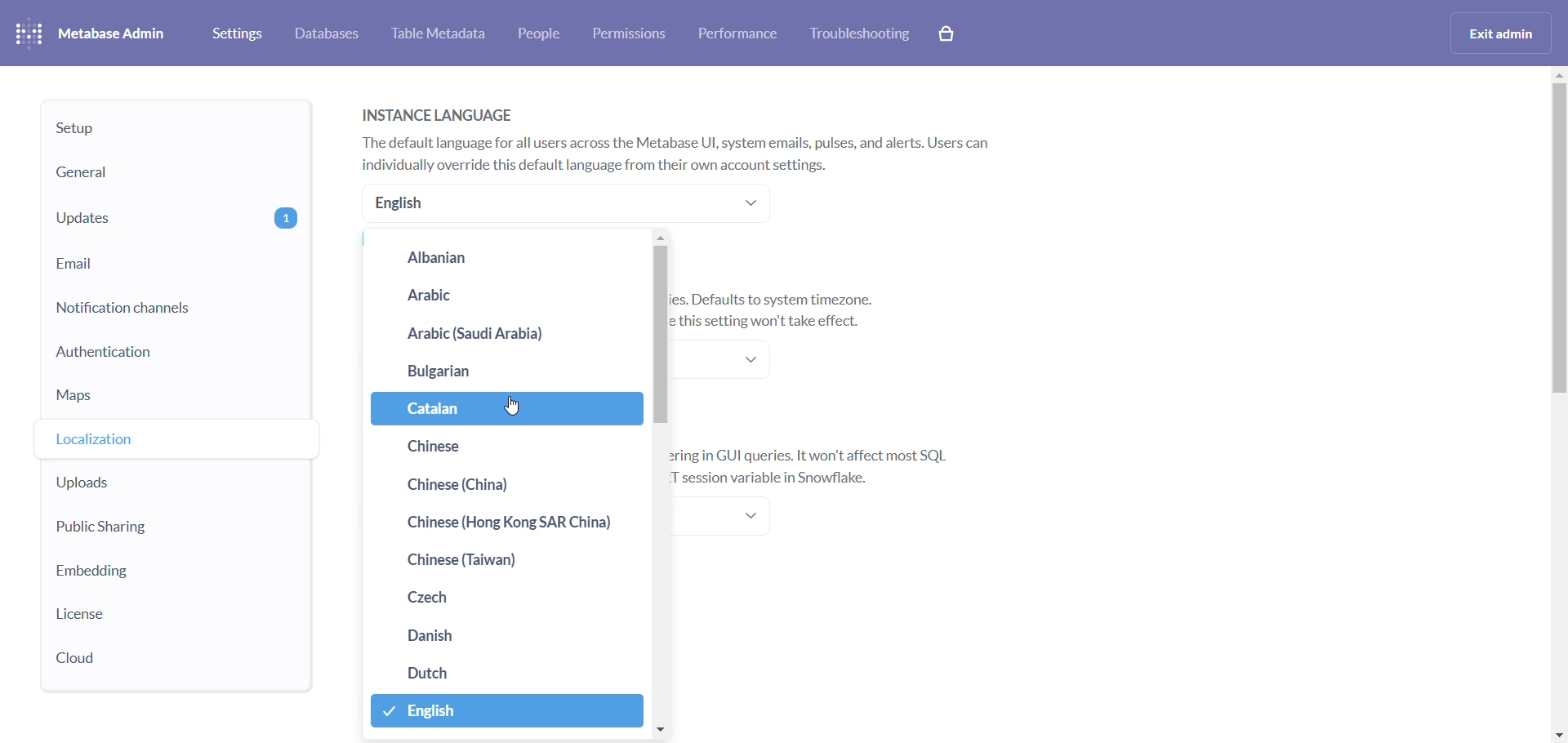  I want to click on INSTANCE LANGUAGE
The default language for all users across the Metabase UI, system emails, pulses, and alerts. Users can
individually override this default language from their own account settings., so click(688, 136).